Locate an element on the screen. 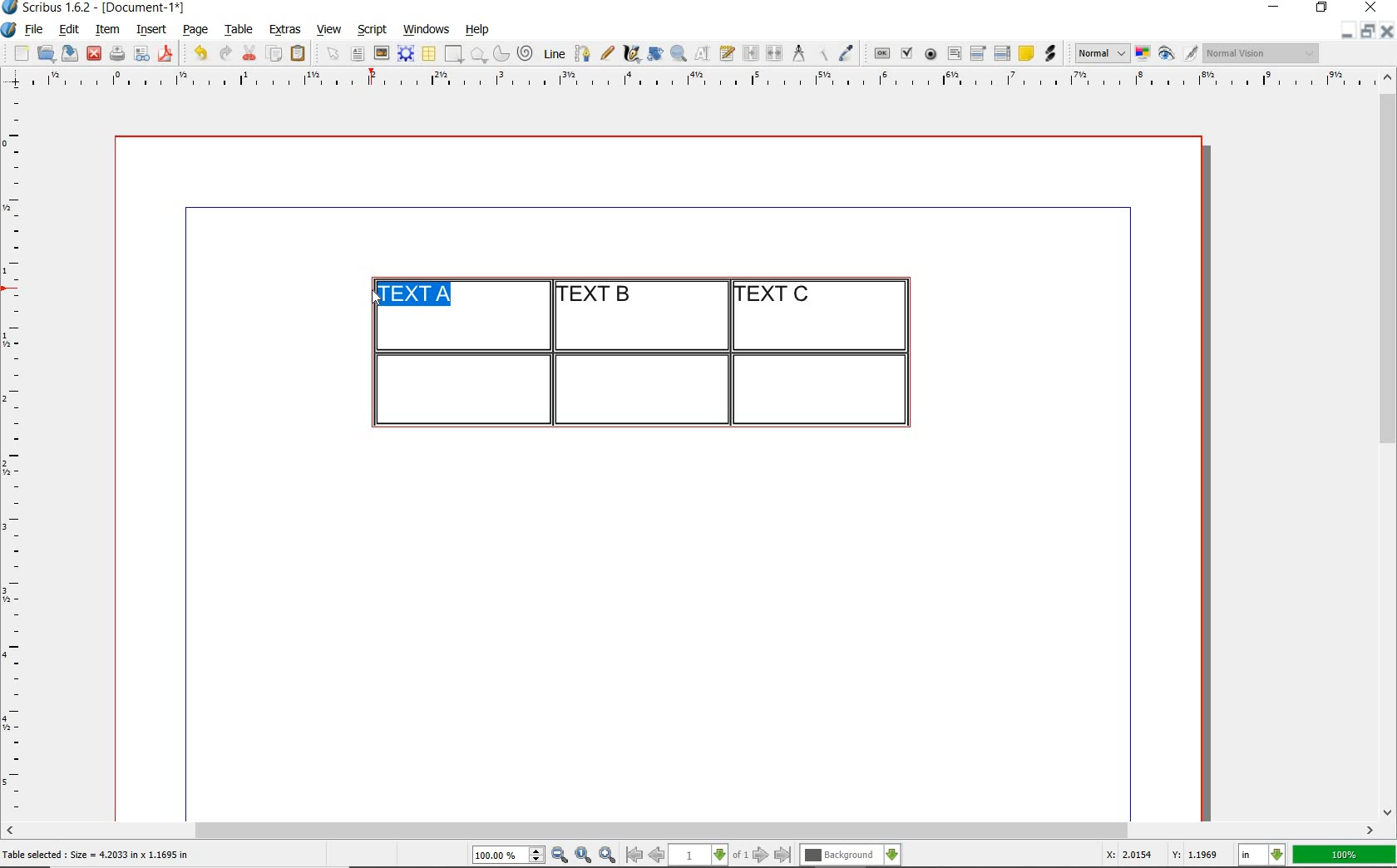  save as pdf is located at coordinates (168, 53).